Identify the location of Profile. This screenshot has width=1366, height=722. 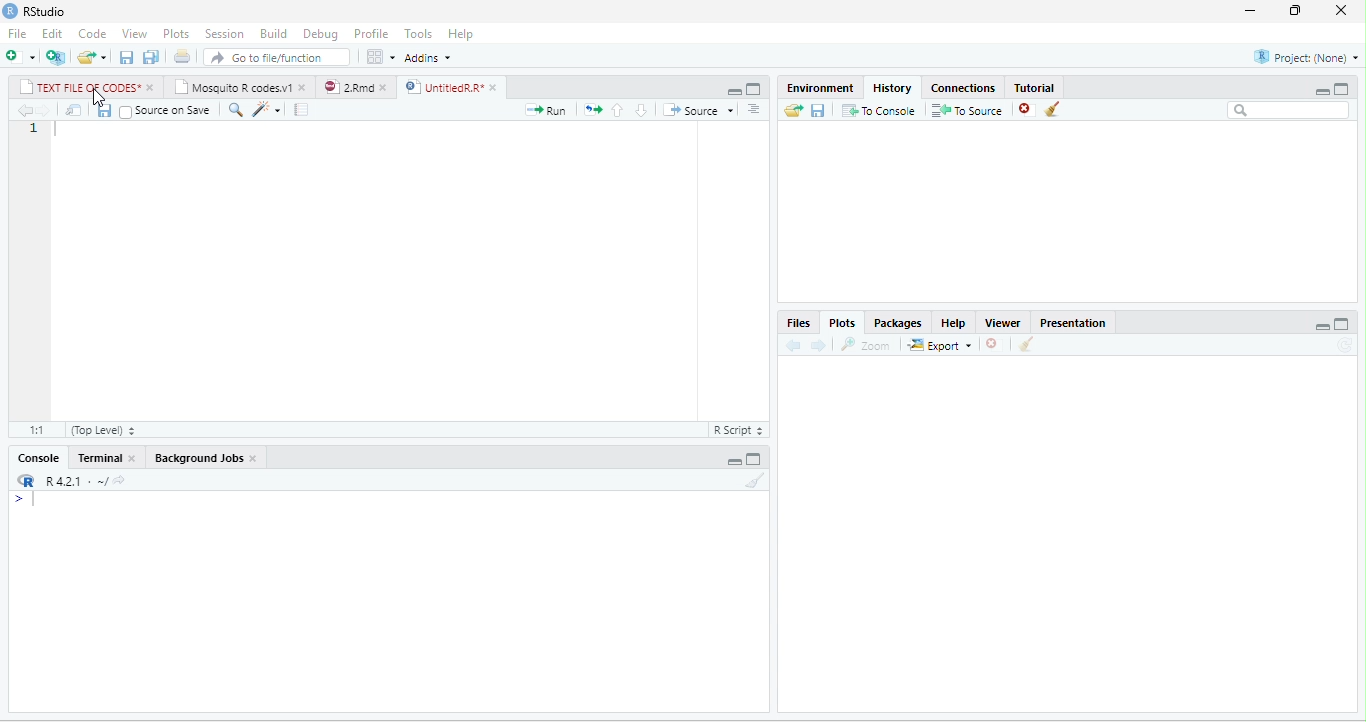
(371, 34).